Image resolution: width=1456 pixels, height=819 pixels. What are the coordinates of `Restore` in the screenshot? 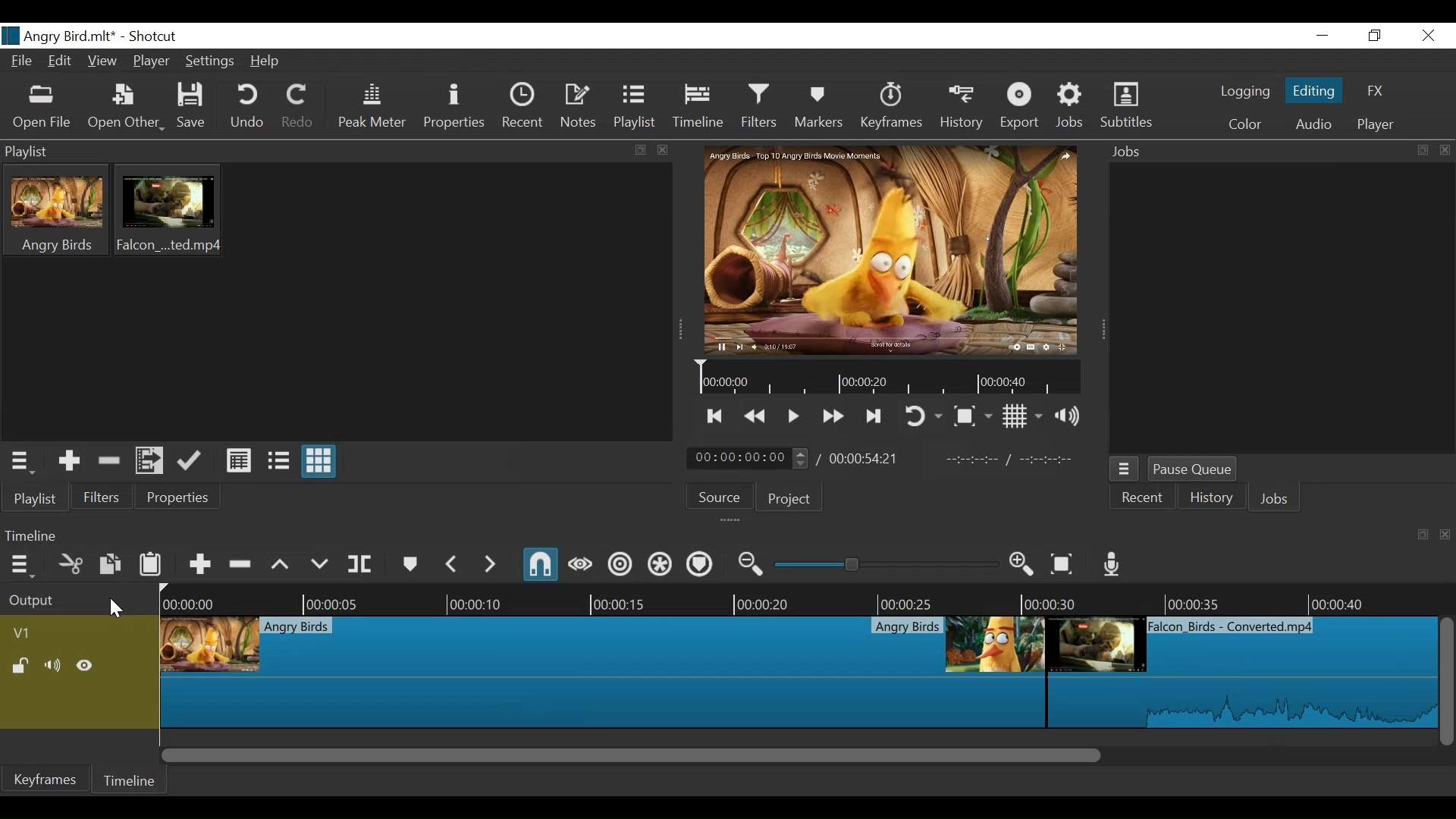 It's located at (1376, 36).